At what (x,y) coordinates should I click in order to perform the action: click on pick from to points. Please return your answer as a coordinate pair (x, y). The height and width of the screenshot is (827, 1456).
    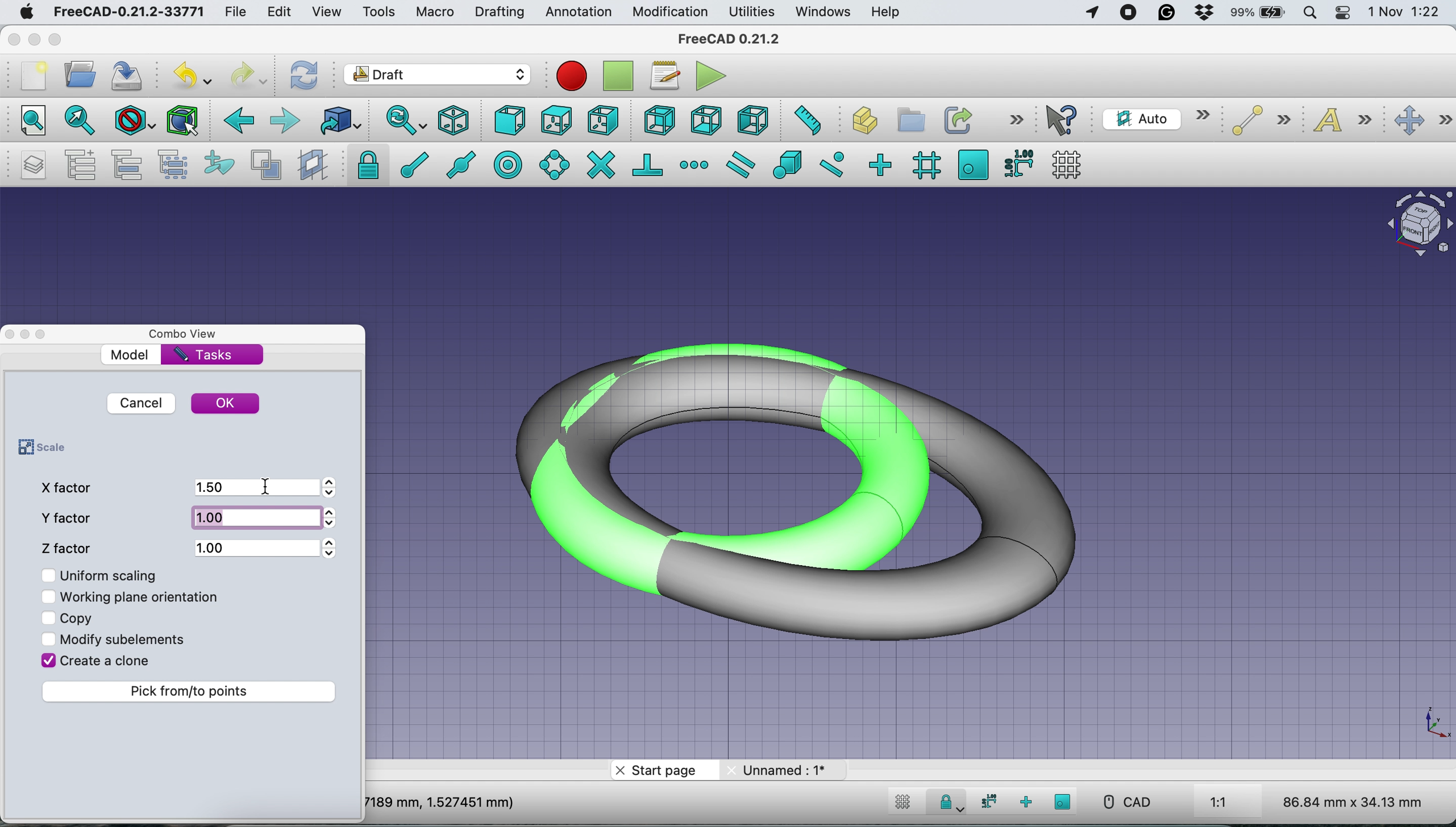
    Looking at the image, I should click on (192, 691).